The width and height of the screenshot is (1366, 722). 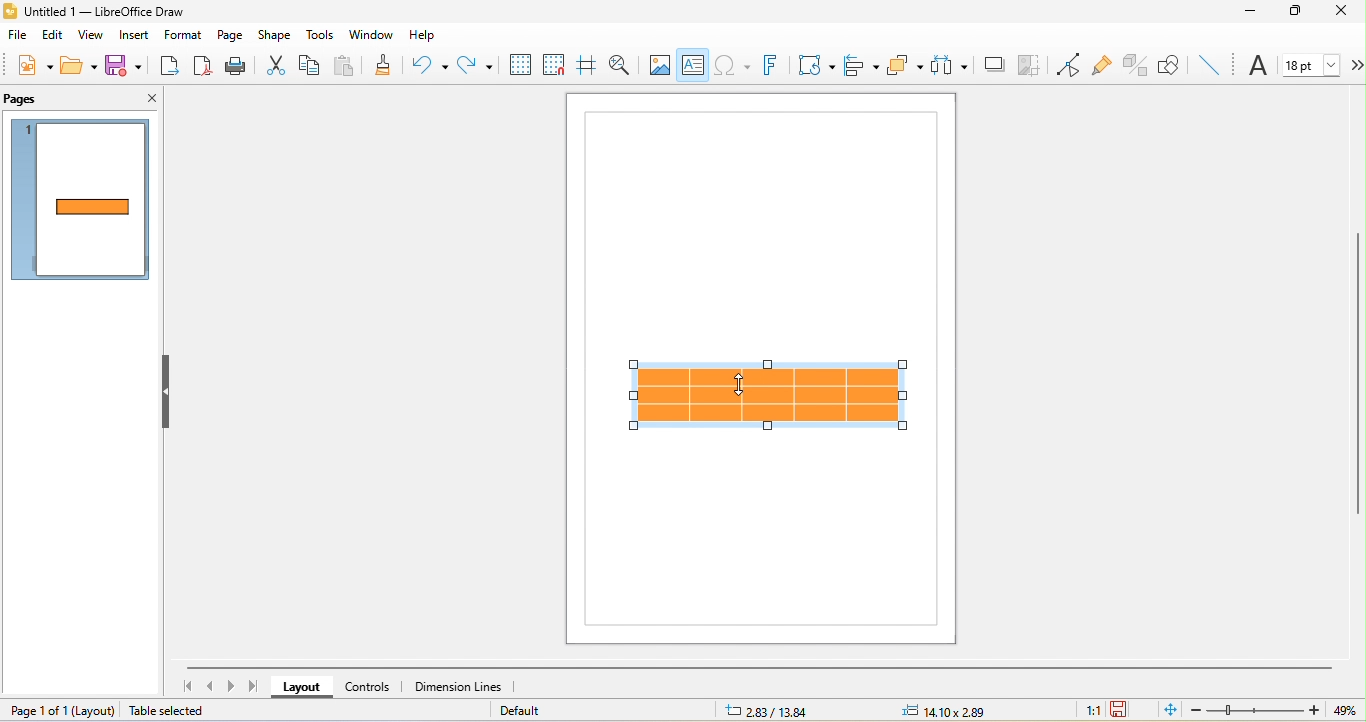 What do you see at coordinates (1258, 67) in the screenshot?
I see `font` at bounding box center [1258, 67].